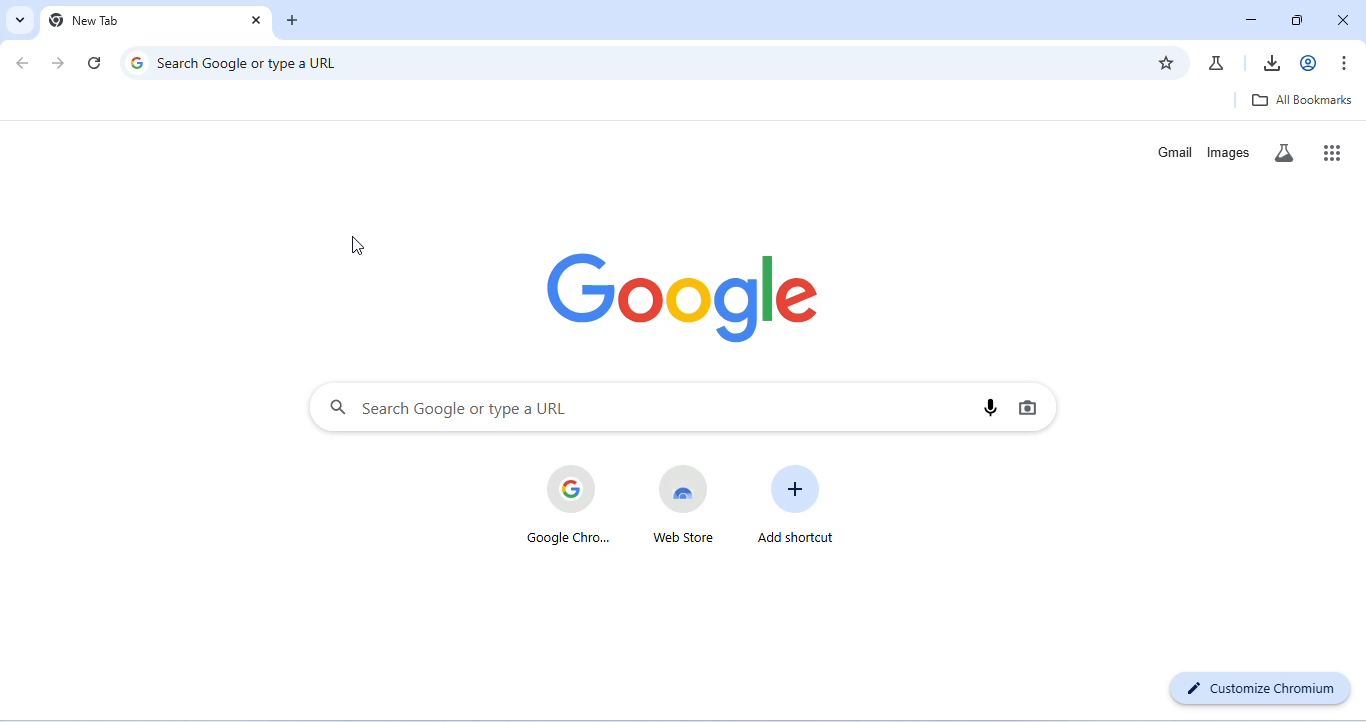  I want to click on add shortcut, so click(798, 505).